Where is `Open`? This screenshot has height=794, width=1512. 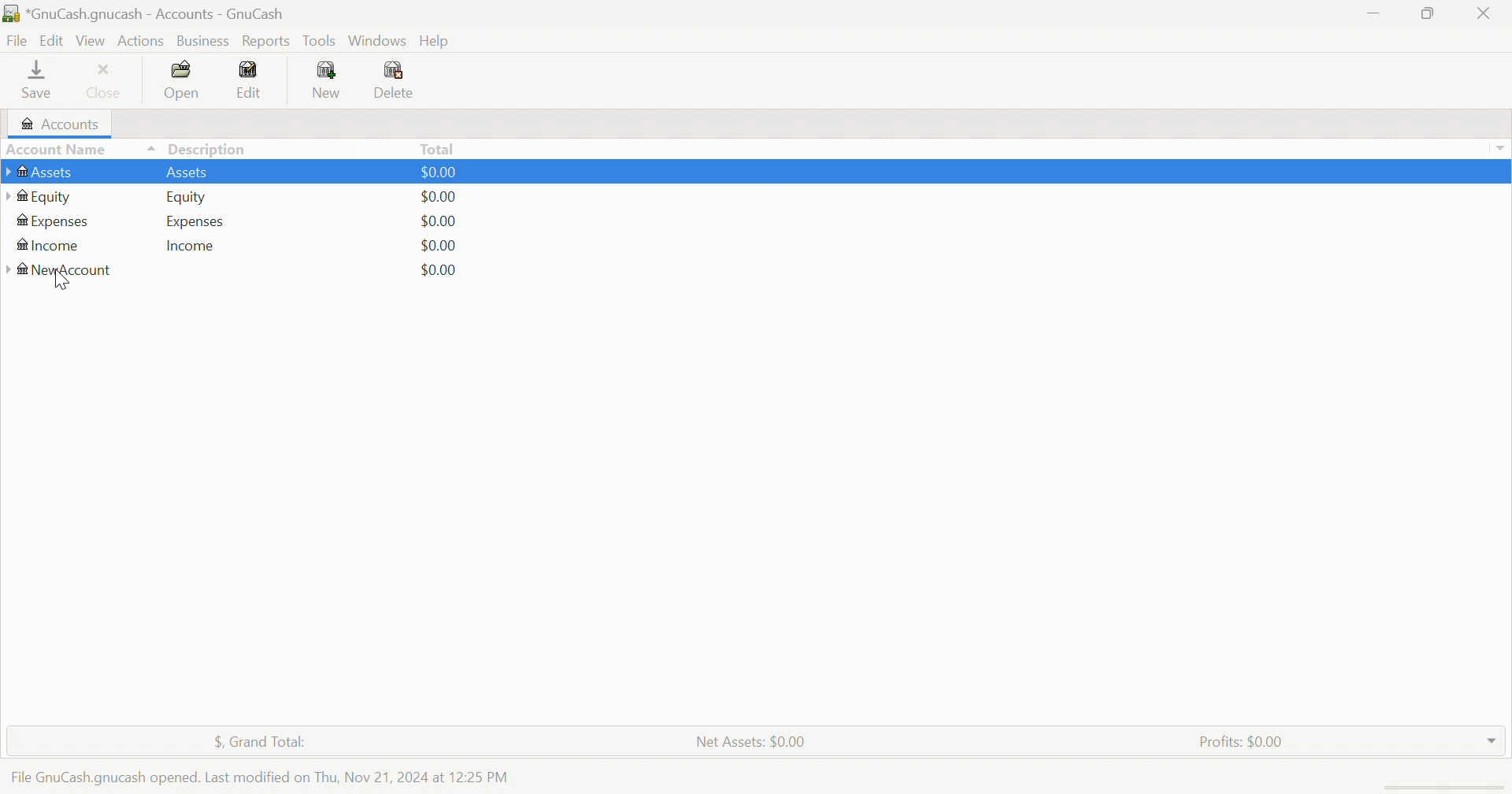 Open is located at coordinates (183, 80).